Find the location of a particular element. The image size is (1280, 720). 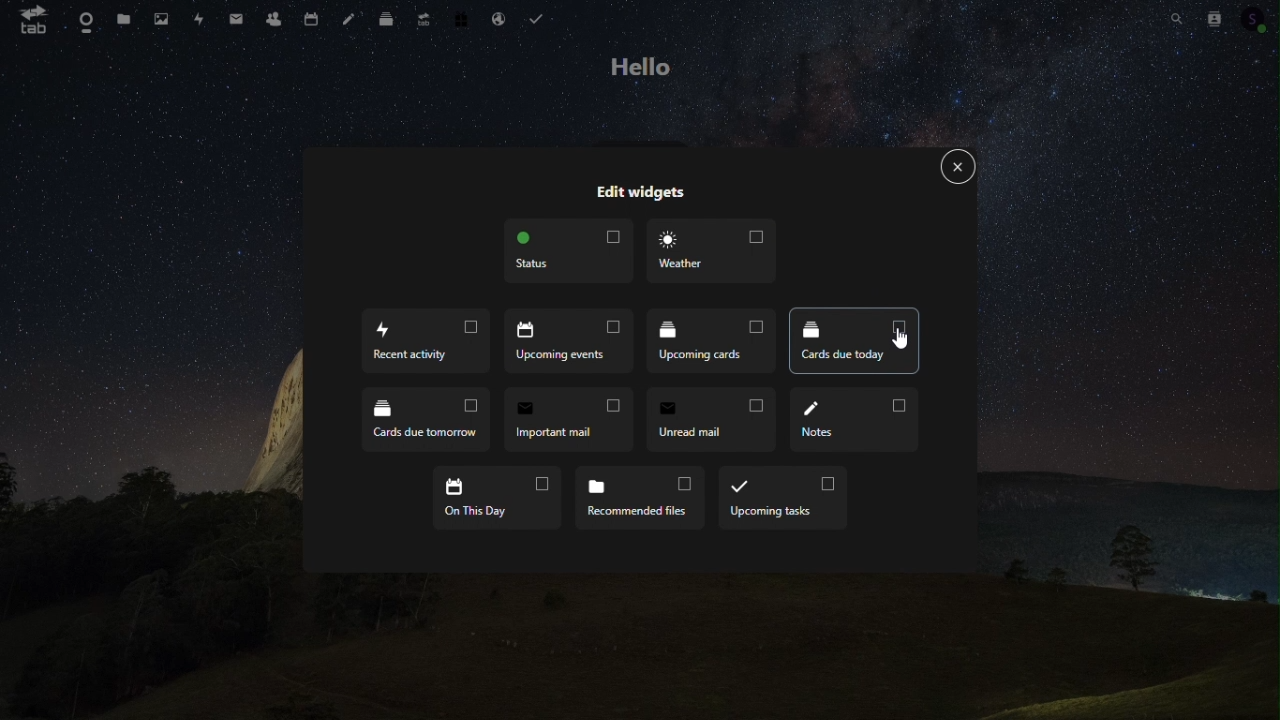

unread email is located at coordinates (708, 421).